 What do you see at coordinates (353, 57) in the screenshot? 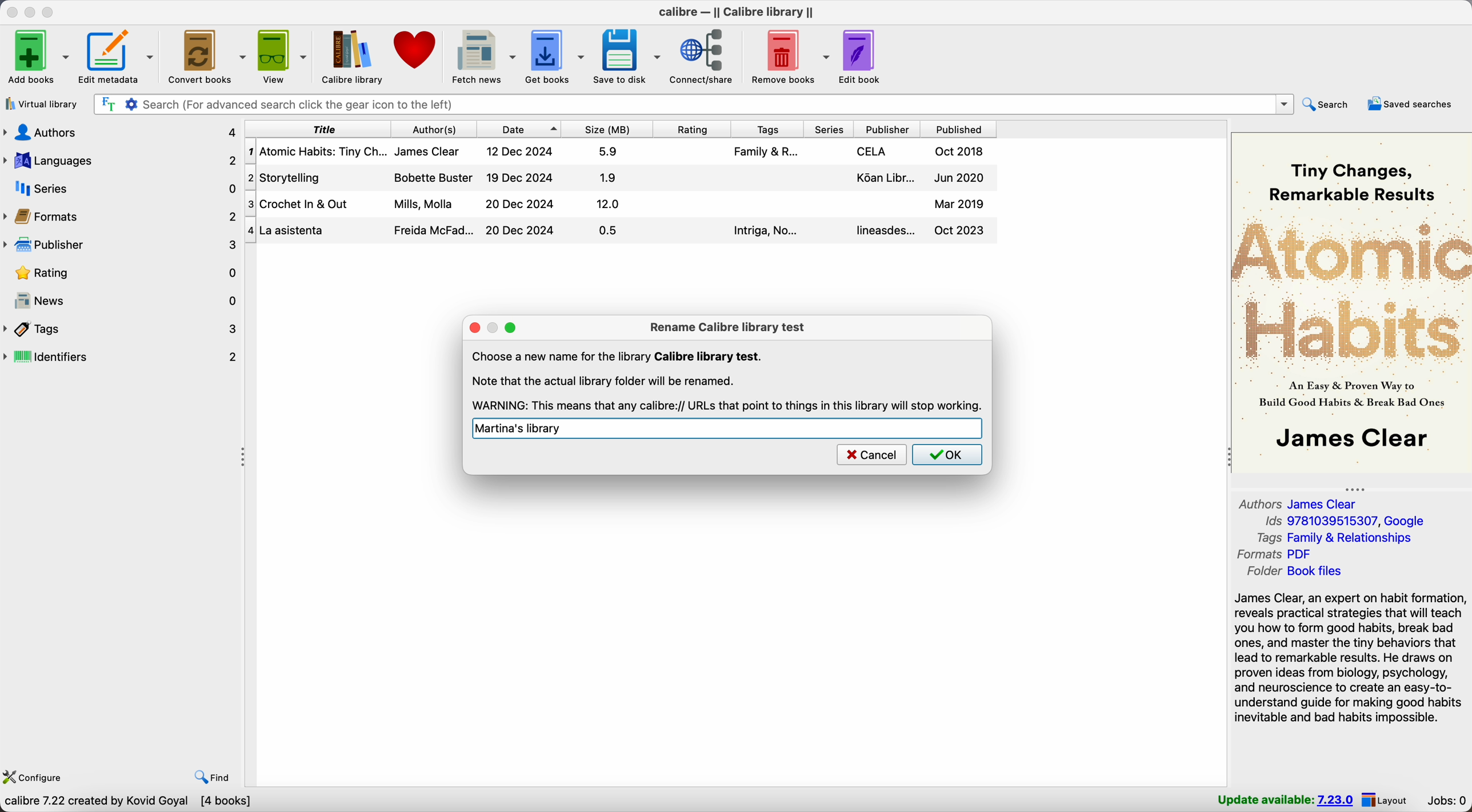
I see `Calibre library` at bounding box center [353, 57].